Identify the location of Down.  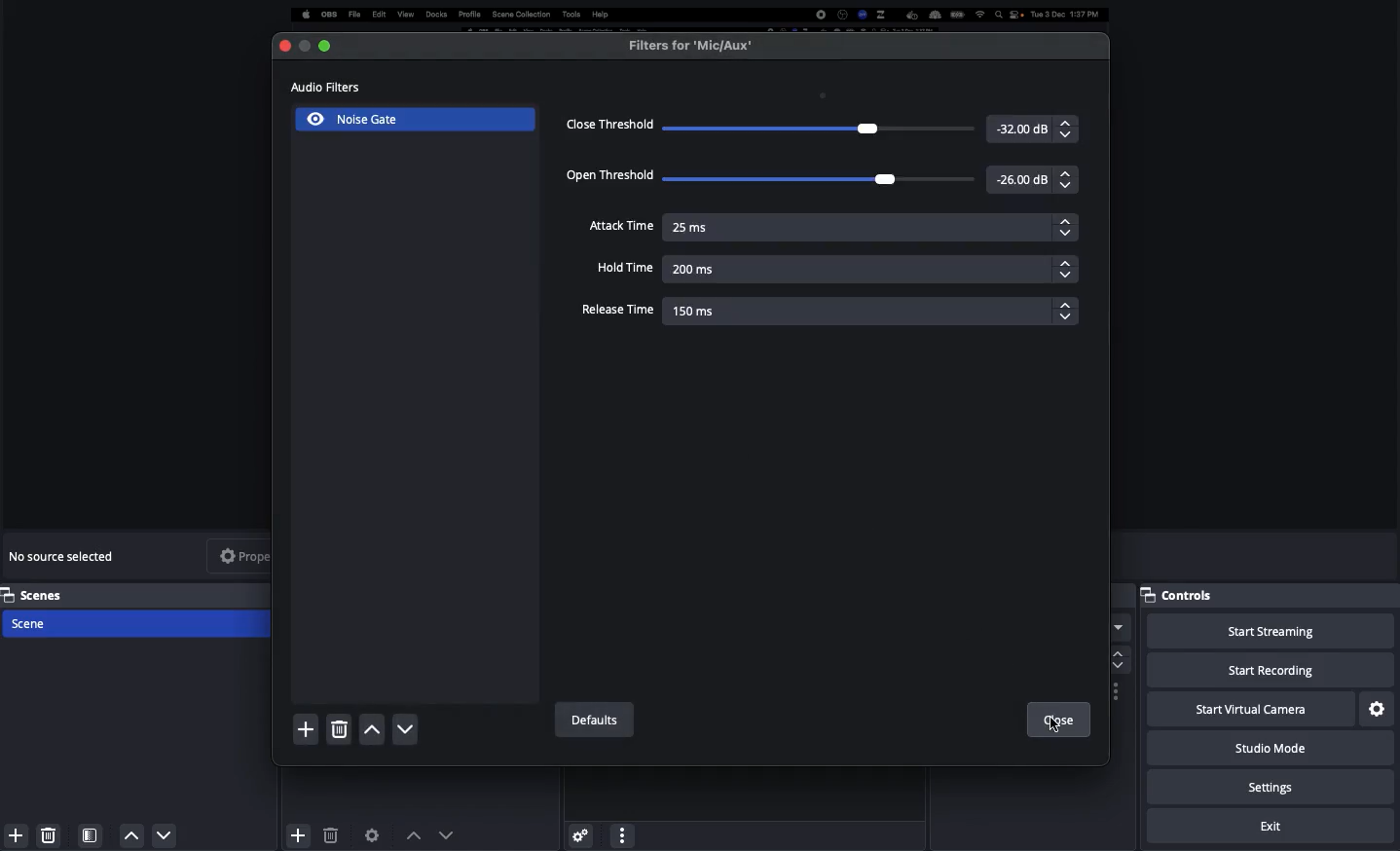
(406, 730).